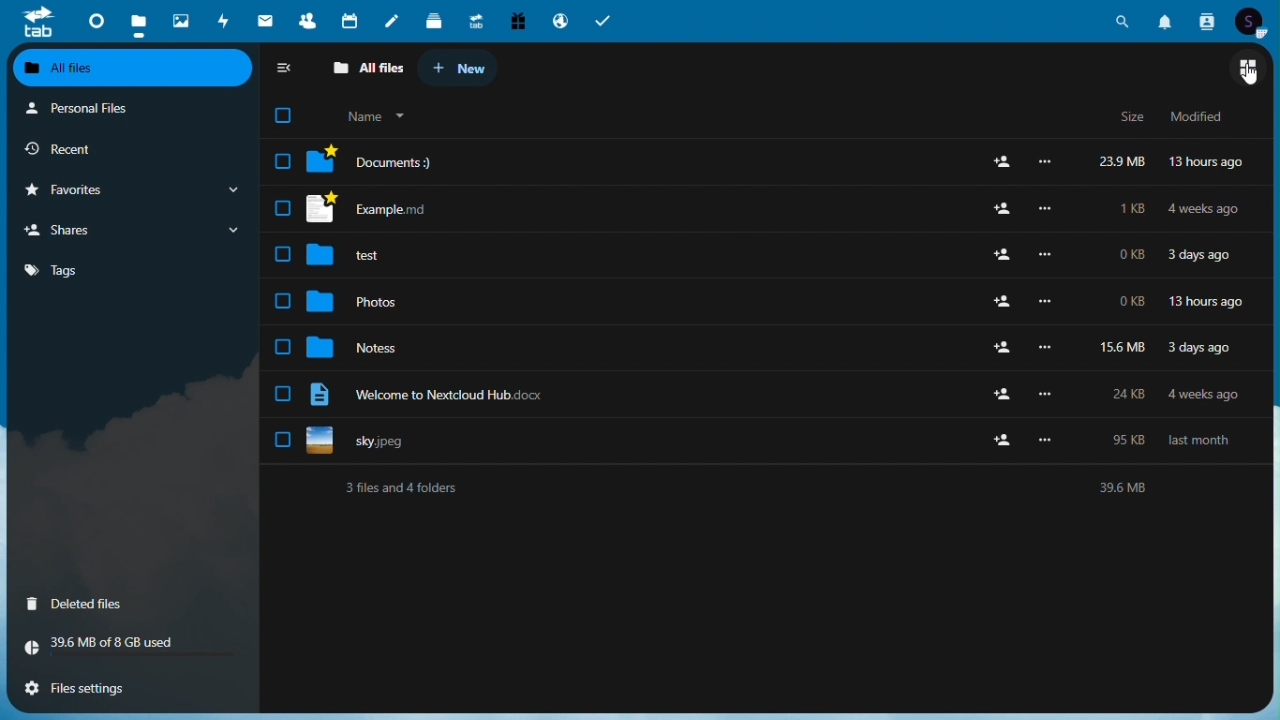  What do you see at coordinates (280, 440) in the screenshot?
I see `checkbox` at bounding box center [280, 440].